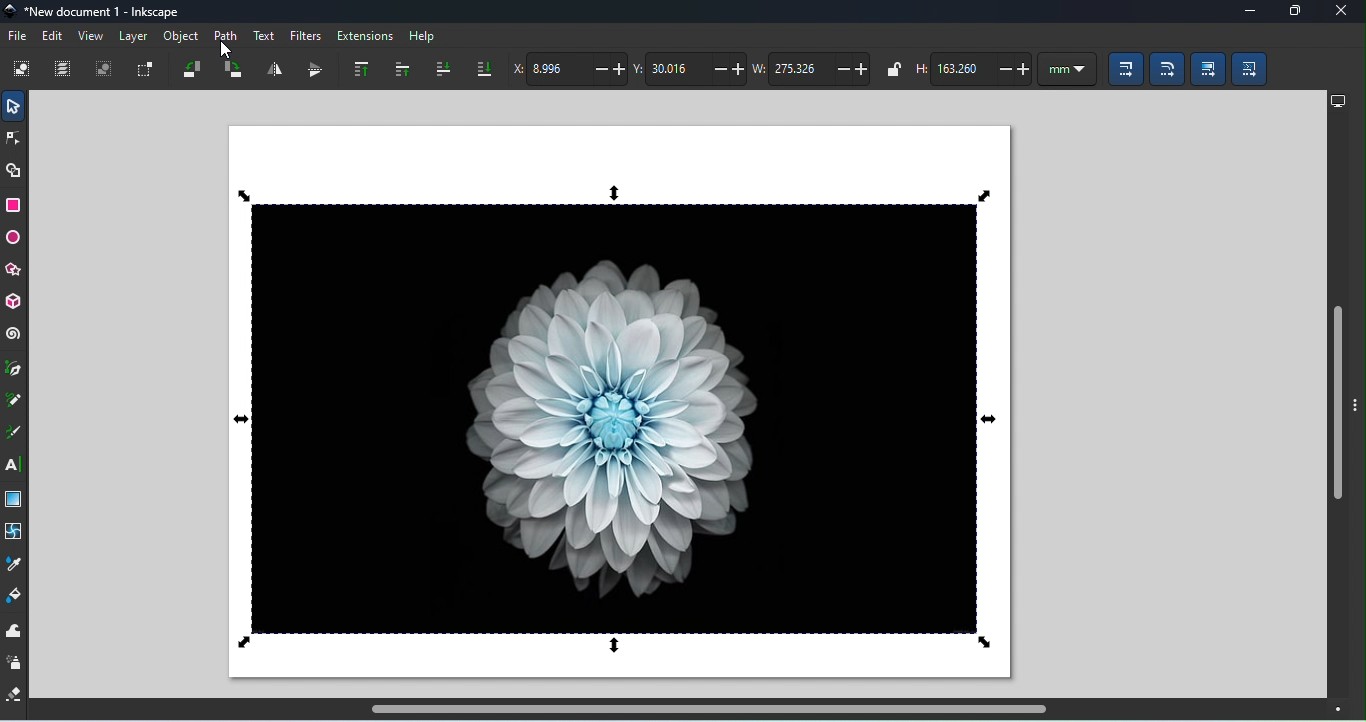 This screenshot has height=722, width=1366. Describe the element at coordinates (274, 69) in the screenshot. I see `Object flip horizontally` at that location.